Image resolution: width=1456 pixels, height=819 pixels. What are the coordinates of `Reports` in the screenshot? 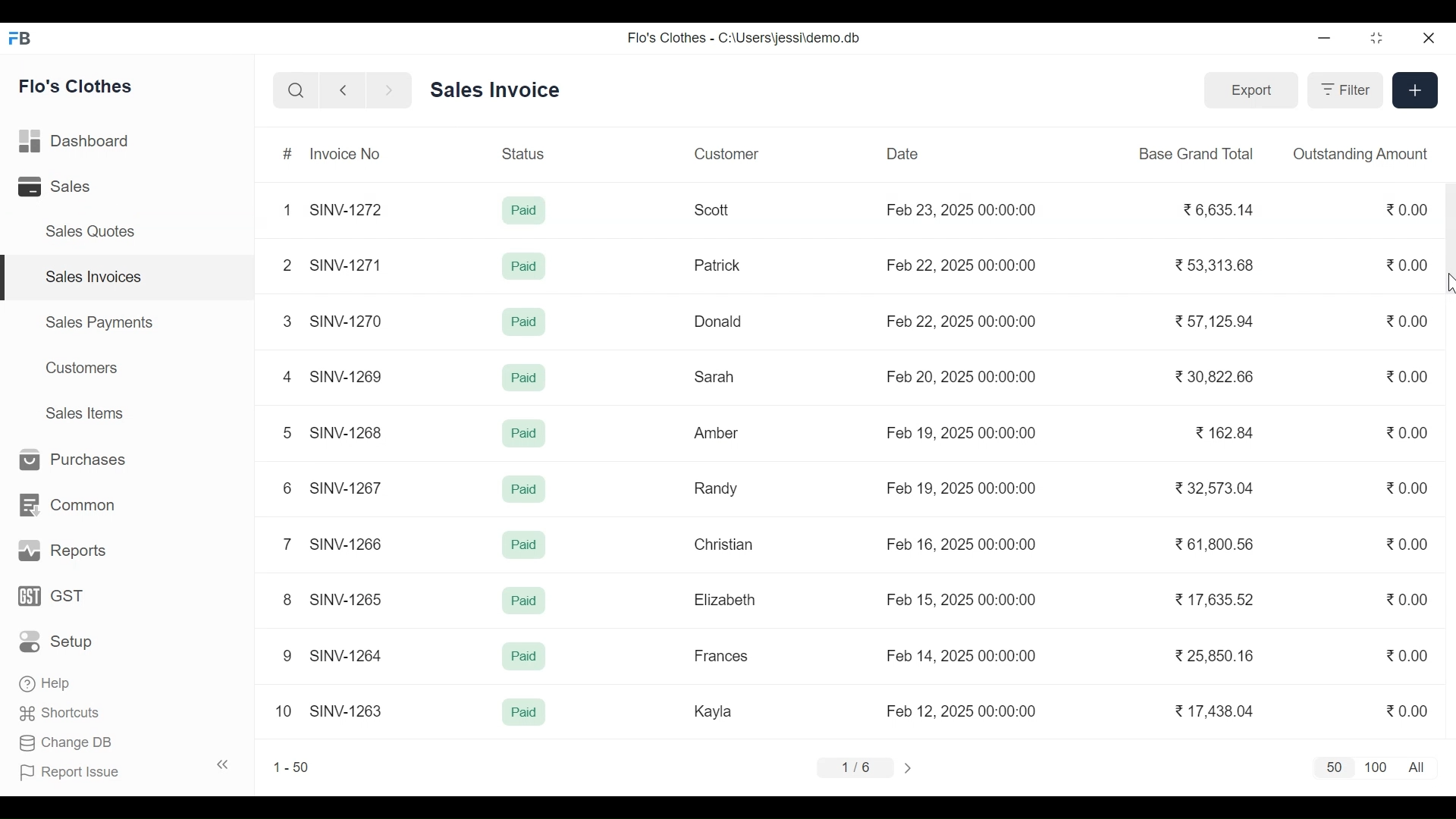 It's located at (59, 551).